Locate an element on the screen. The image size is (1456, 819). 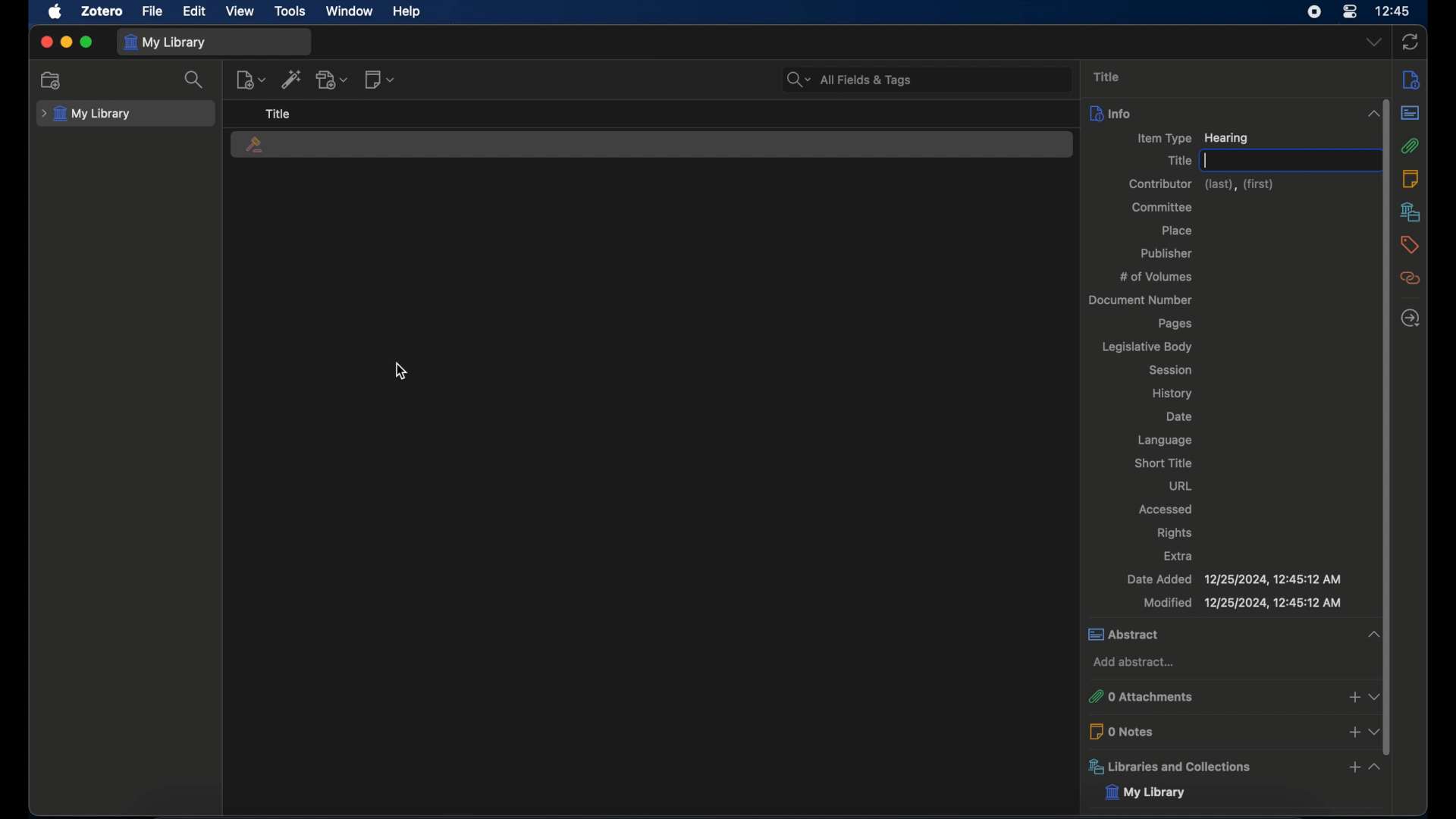
search is located at coordinates (194, 80).